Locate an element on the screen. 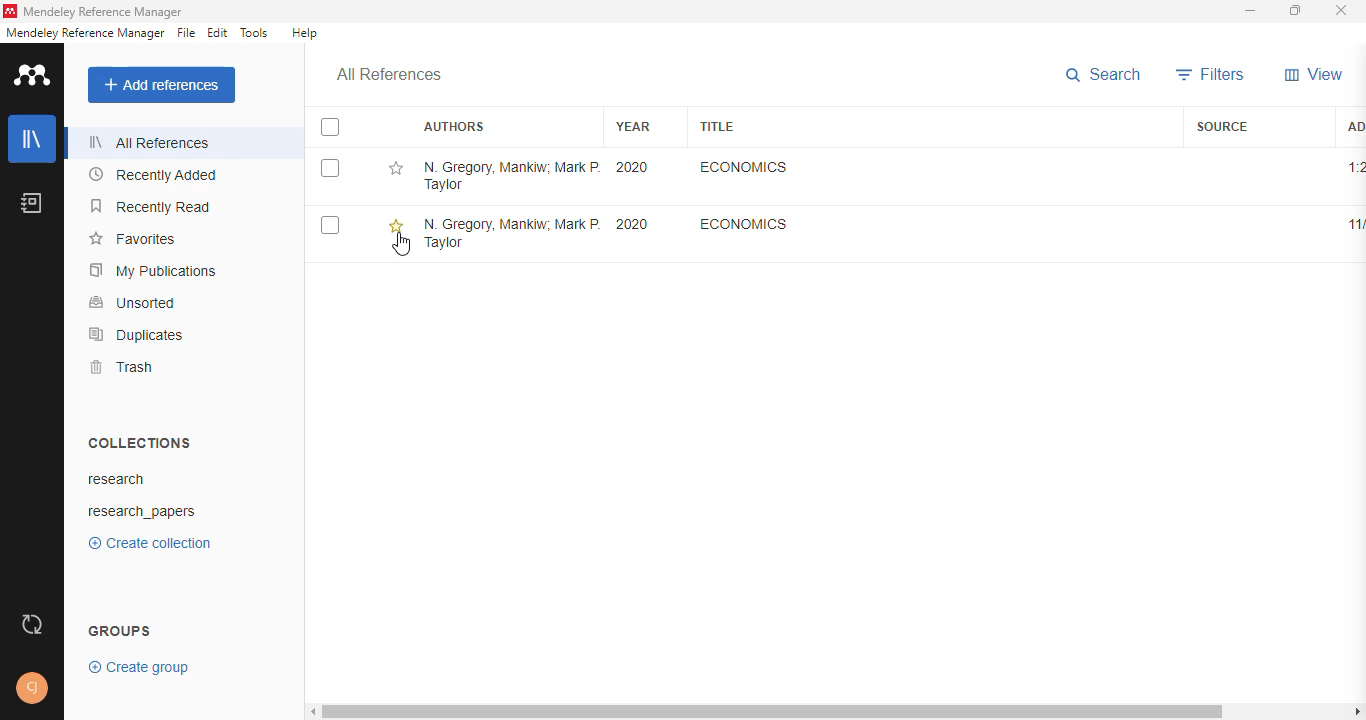 The height and width of the screenshot is (720, 1366). 1:2 is located at coordinates (1355, 167).